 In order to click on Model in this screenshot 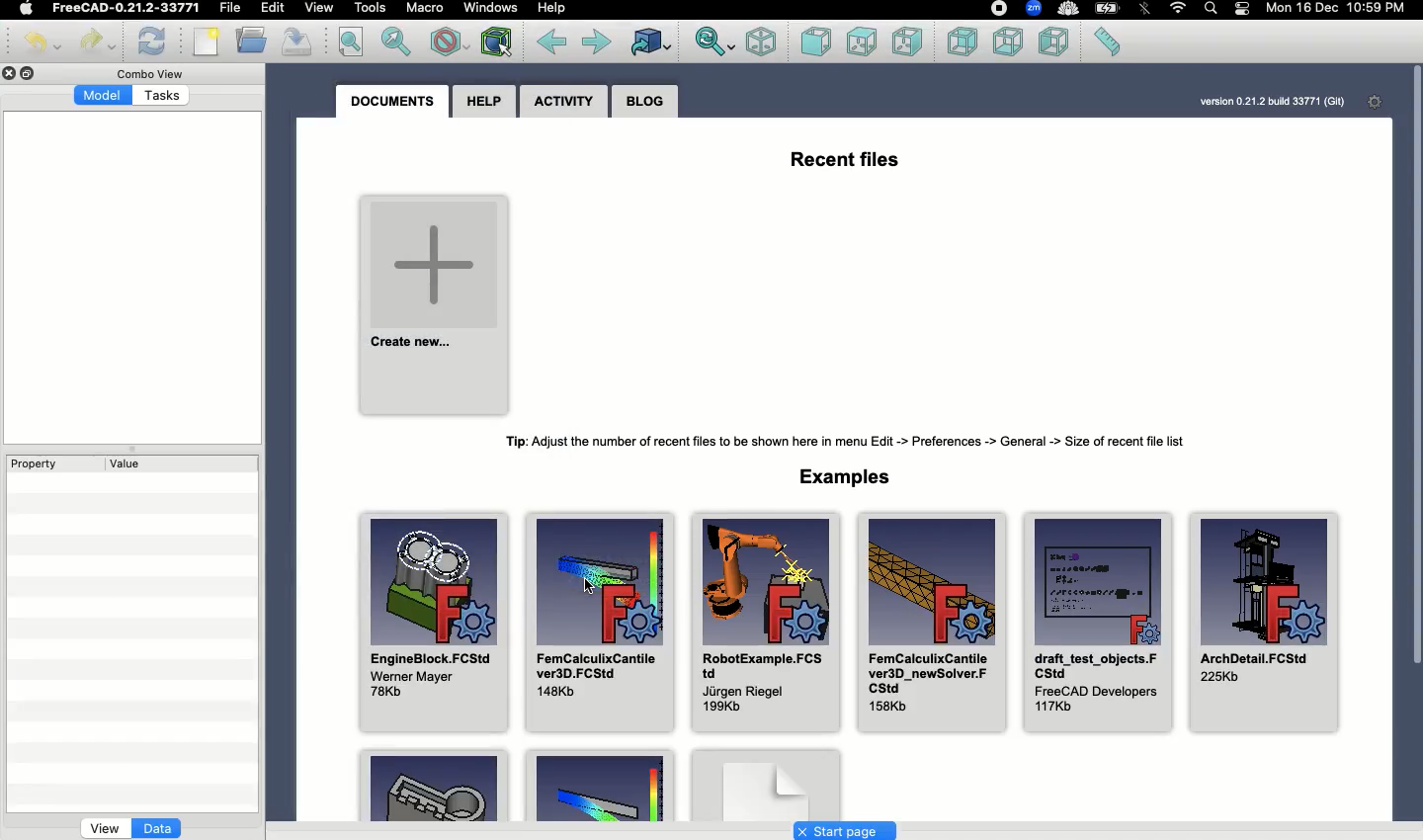, I will do `click(104, 95)`.